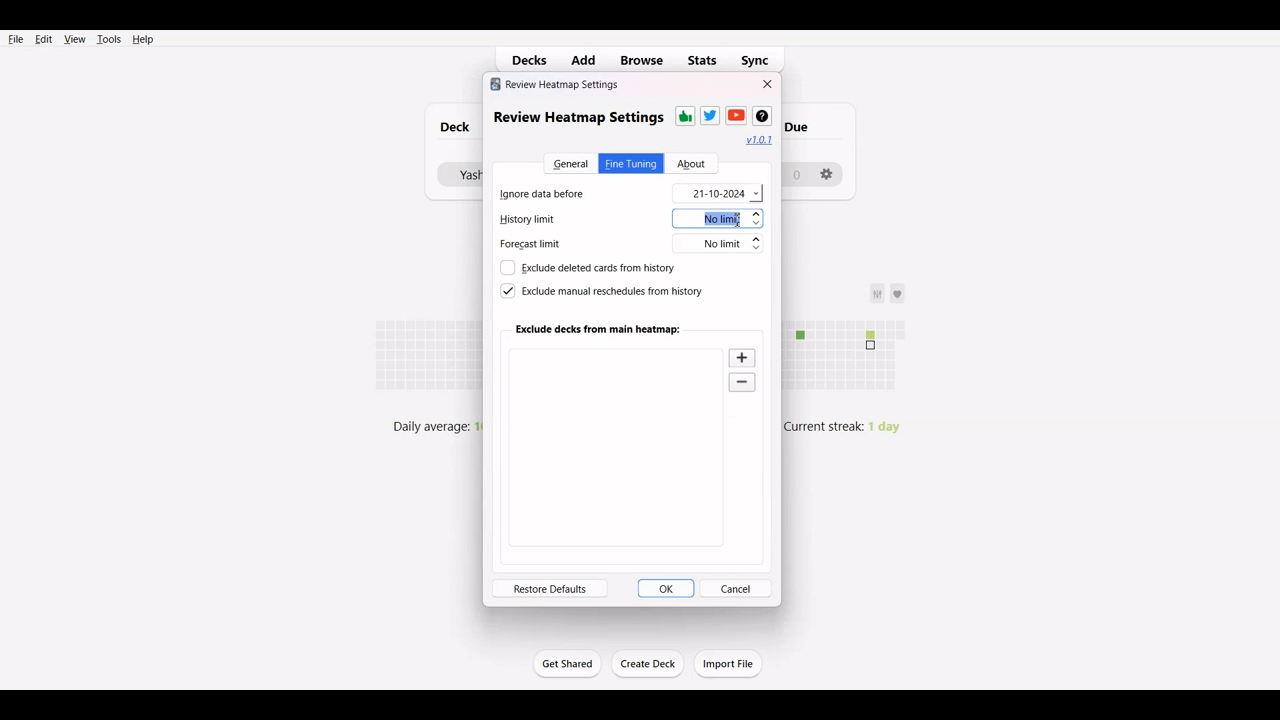 This screenshot has height=720, width=1280. What do you see at coordinates (744, 384) in the screenshot?
I see `Zoom out` at bounding box center [744, 384].